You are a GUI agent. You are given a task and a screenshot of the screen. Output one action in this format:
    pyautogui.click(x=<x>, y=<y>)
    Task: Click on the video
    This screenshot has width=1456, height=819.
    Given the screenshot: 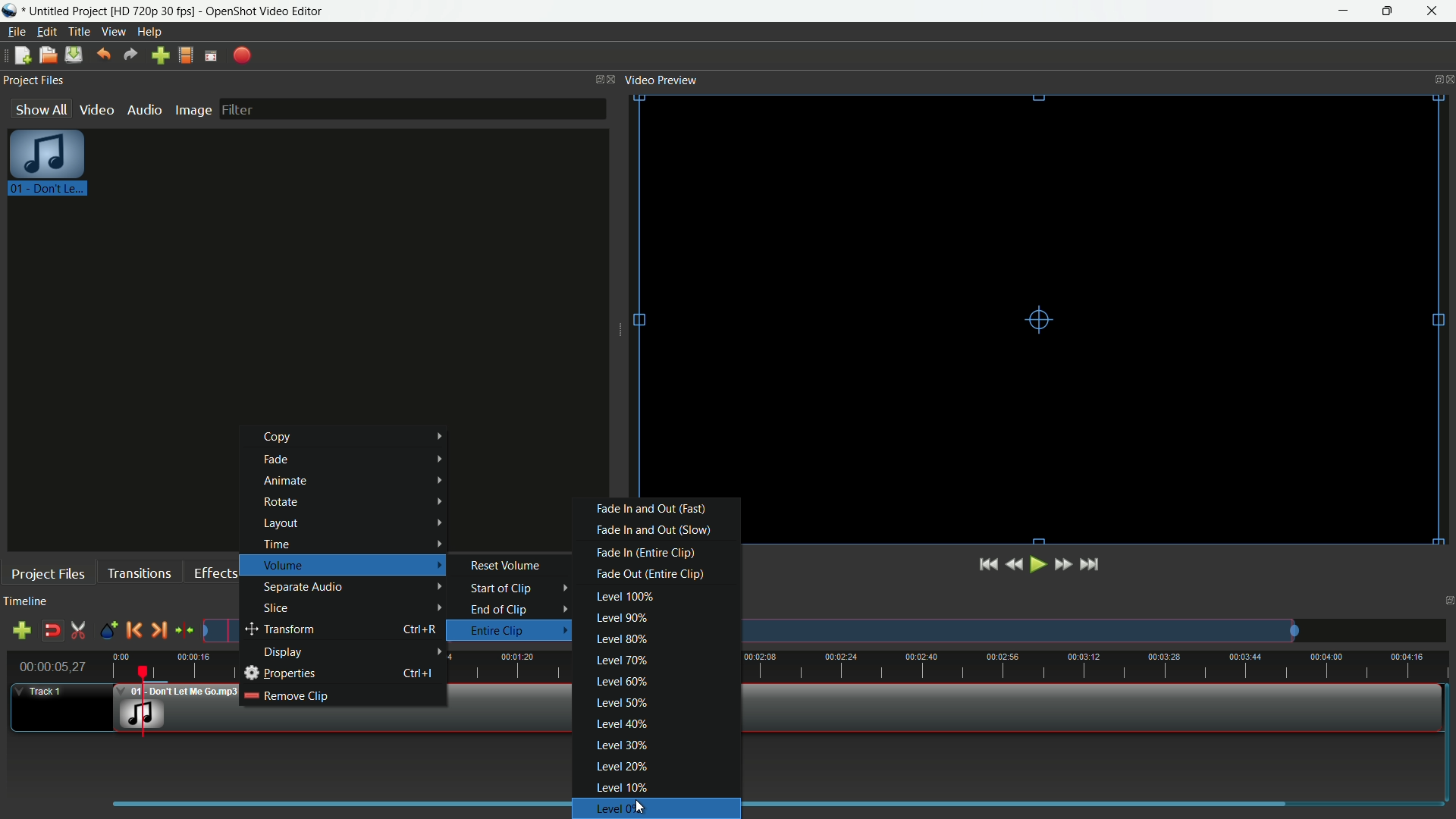 What is the action you would take?
    pyautogui.click(x=96, y=110)
    